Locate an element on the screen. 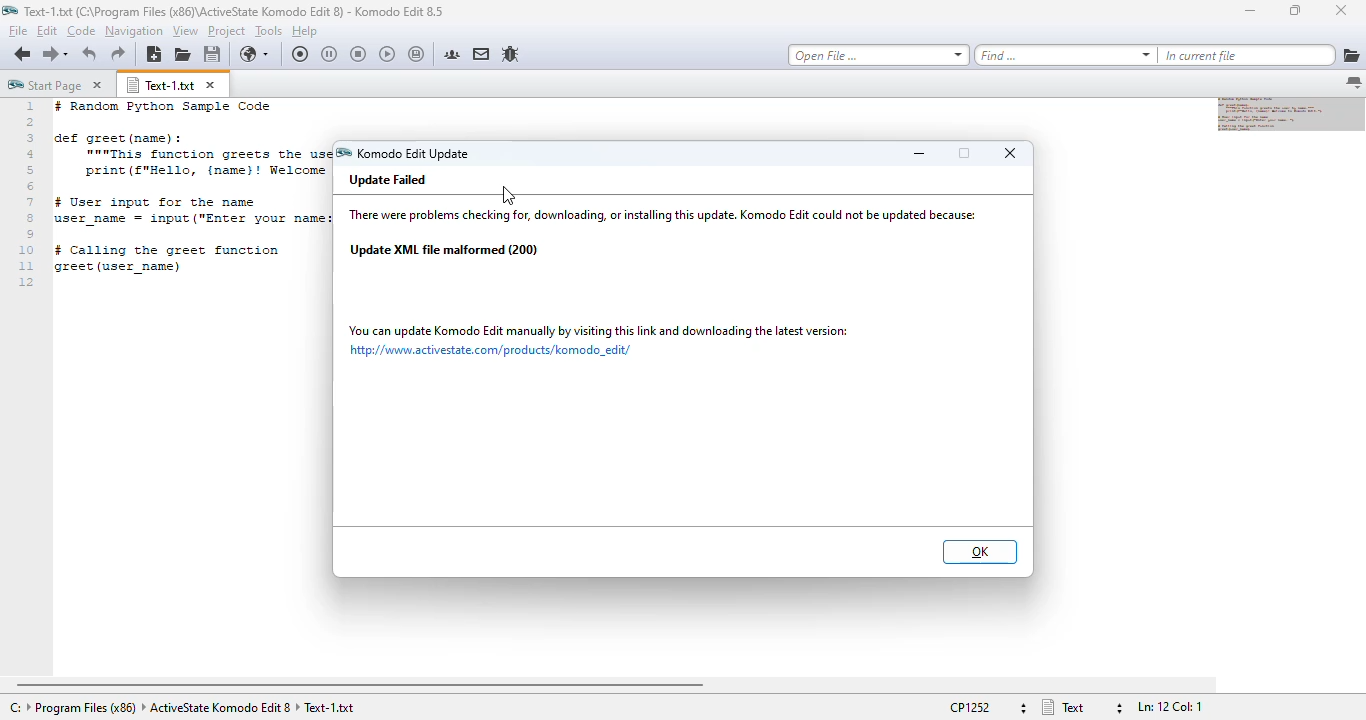  text-1 program file is located at coordinates (234, 11).